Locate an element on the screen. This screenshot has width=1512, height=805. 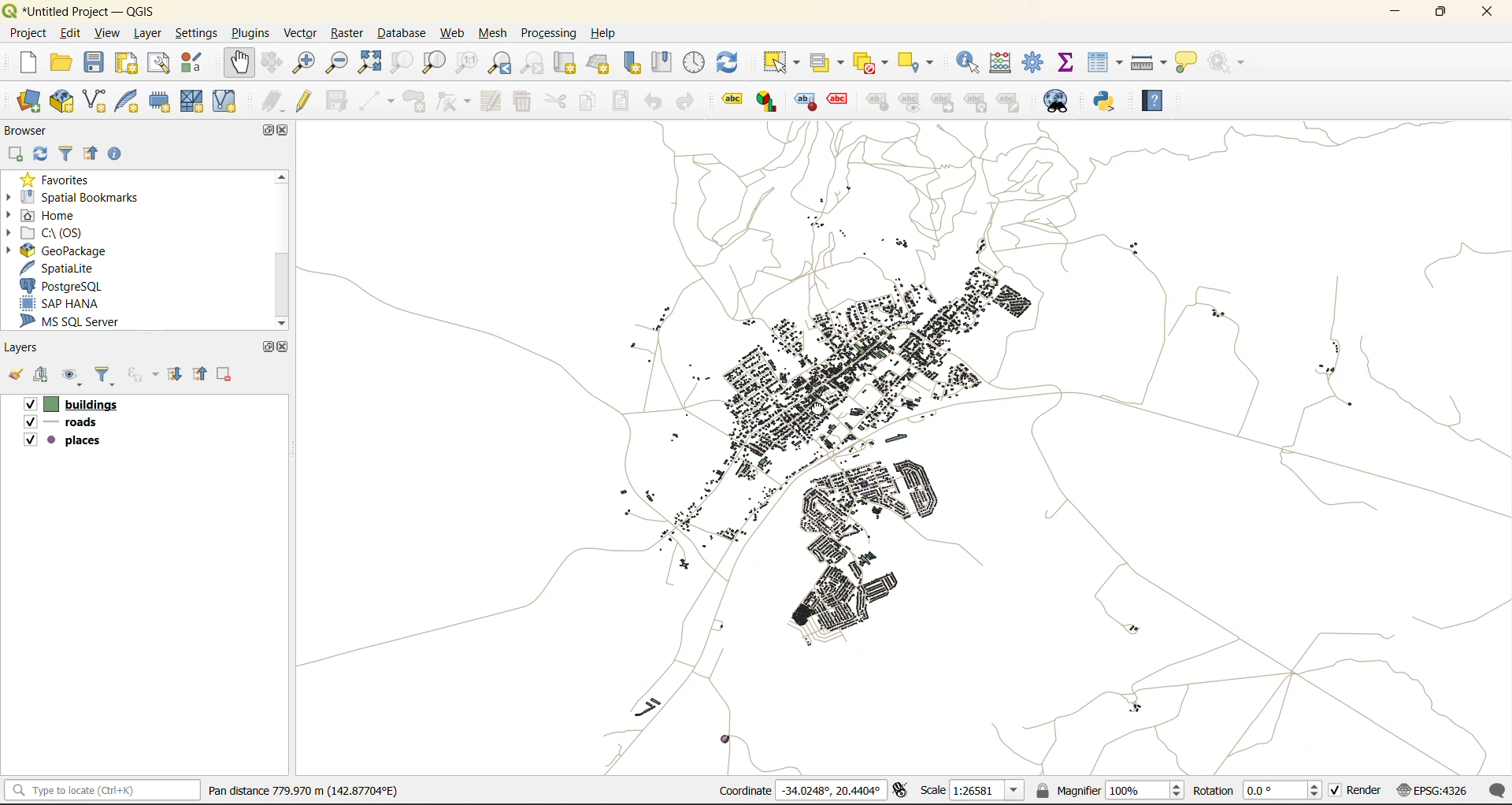
show tips is located at coordinates (1186, 63).